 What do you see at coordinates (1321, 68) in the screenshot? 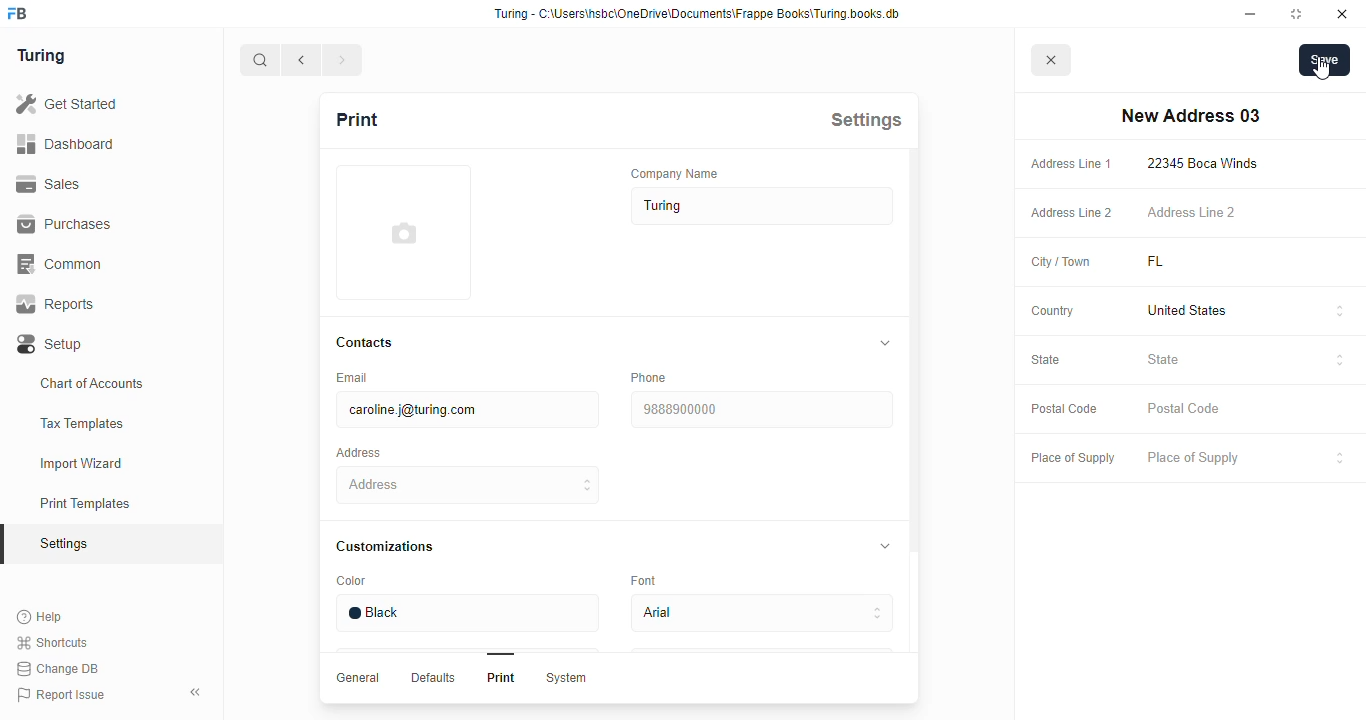
I see `cursor` at bounding box center [1321, 68].